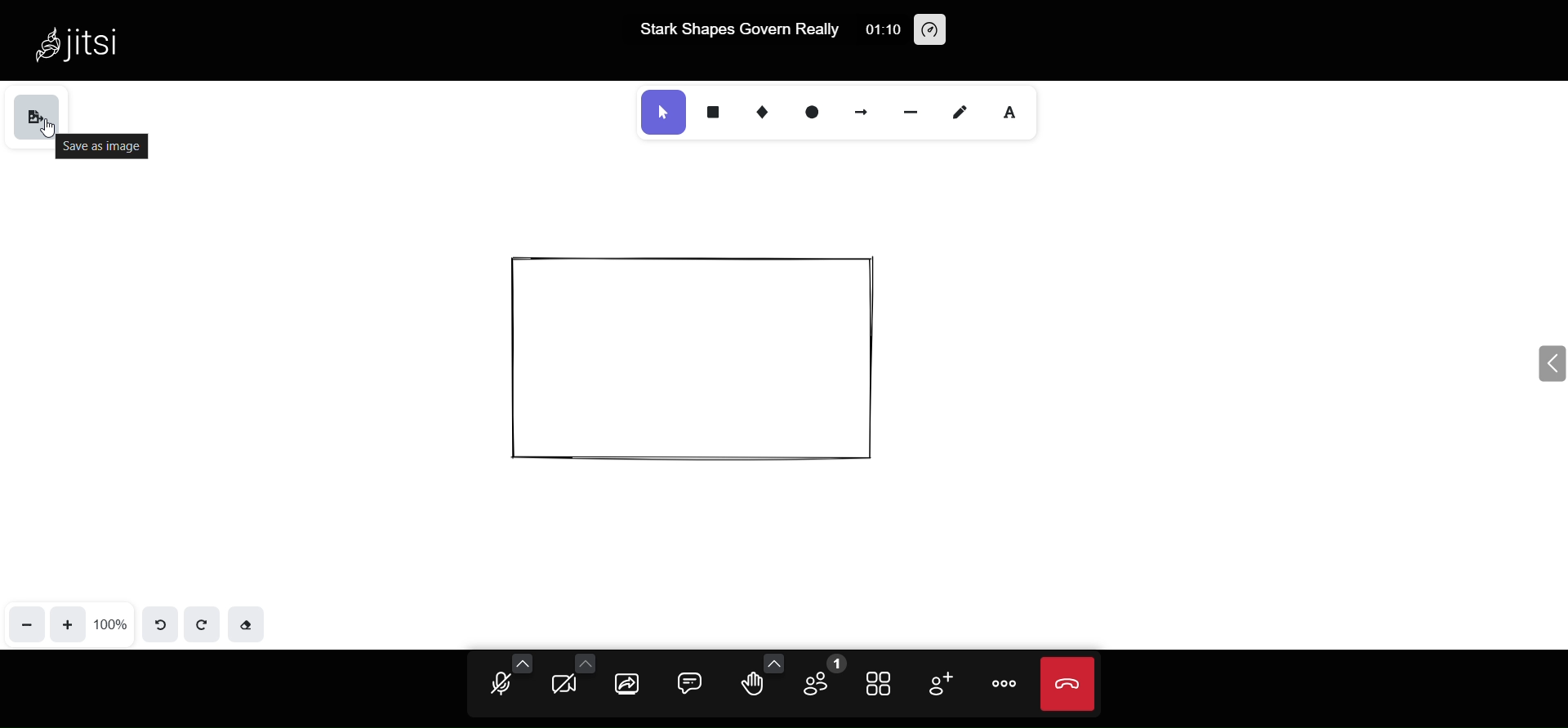 This screenshot has width=1568, height=728. What do you see at coordinates (587, 663) in the screenshot?
I see `more camera option` at bounding box center [587, 663].